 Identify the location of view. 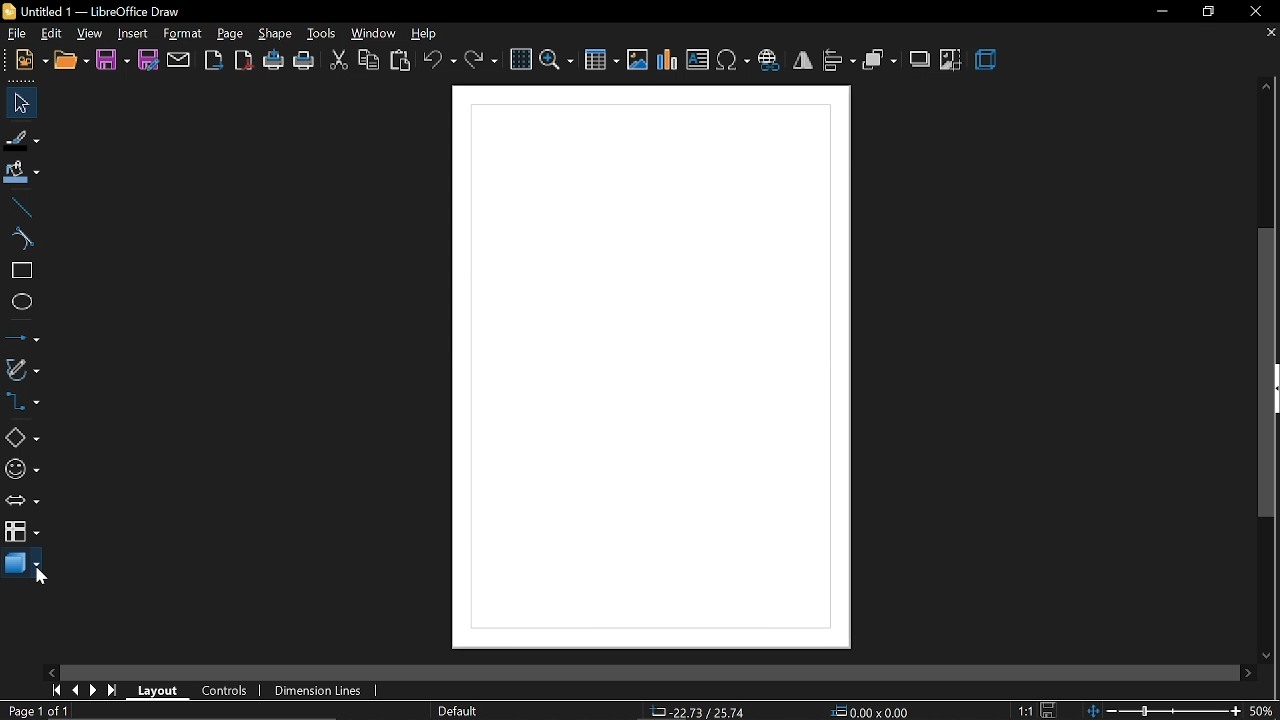
(91, 34).